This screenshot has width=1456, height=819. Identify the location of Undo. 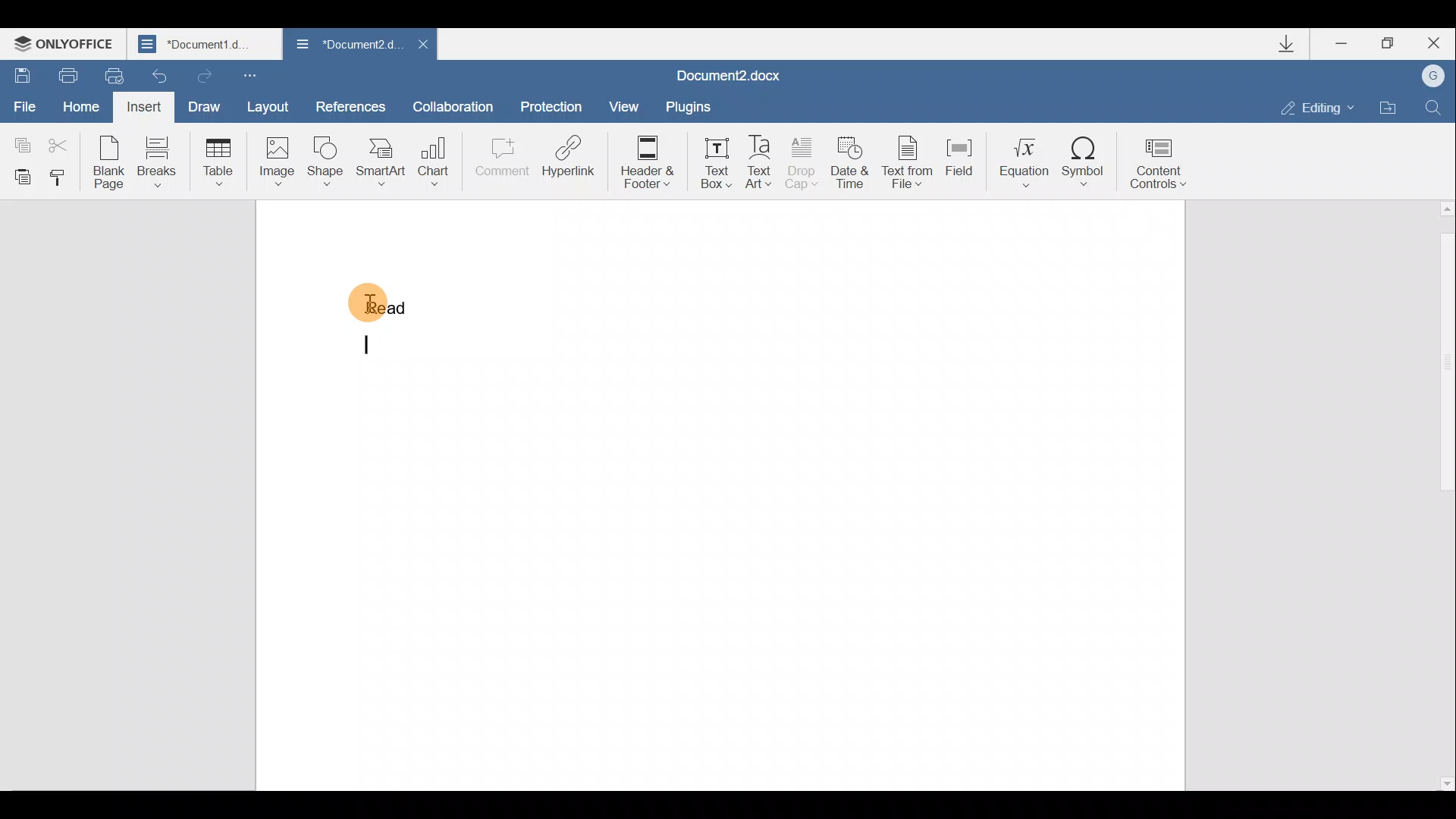
(155, 76).